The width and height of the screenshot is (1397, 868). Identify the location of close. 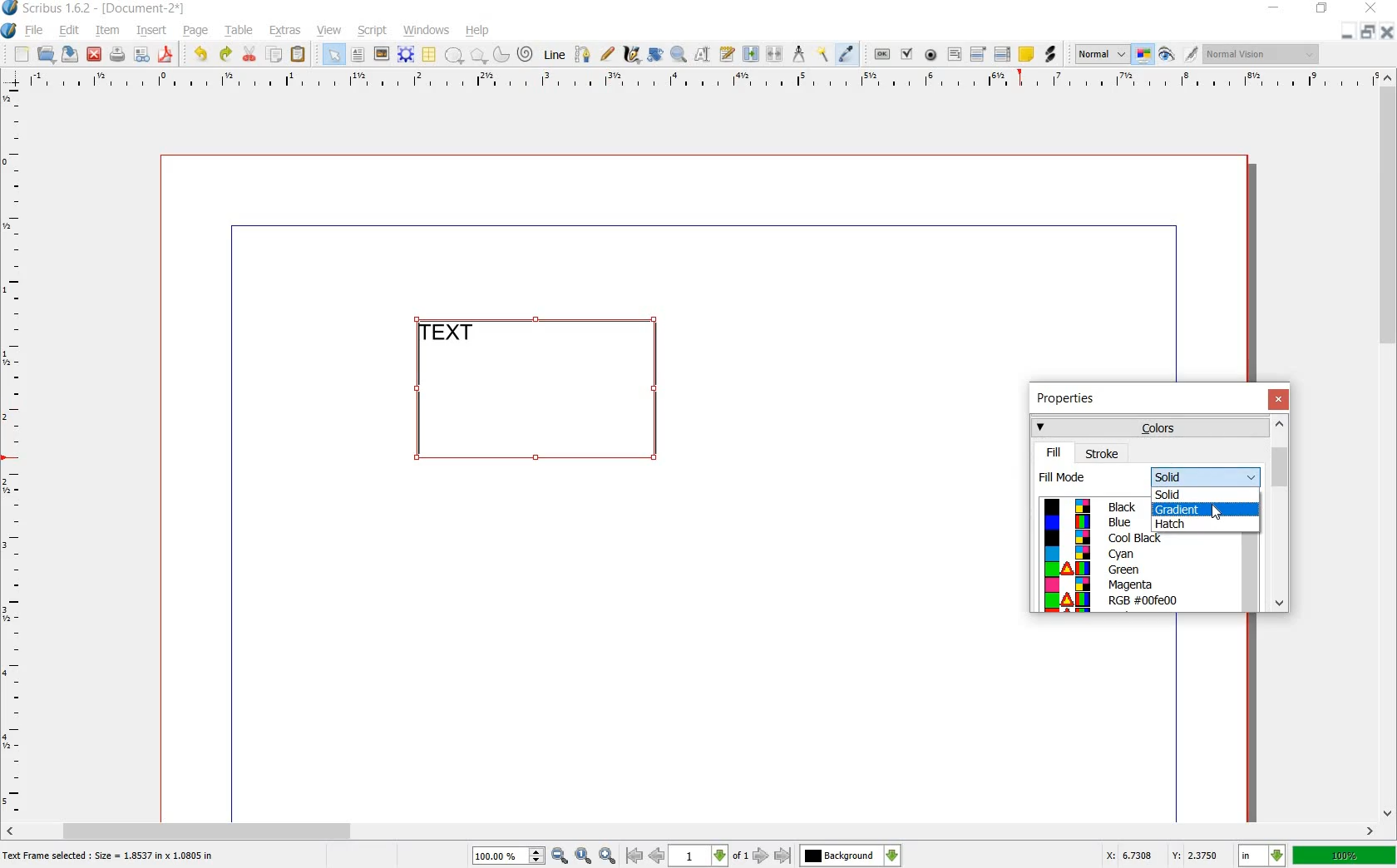
(1374, 7).